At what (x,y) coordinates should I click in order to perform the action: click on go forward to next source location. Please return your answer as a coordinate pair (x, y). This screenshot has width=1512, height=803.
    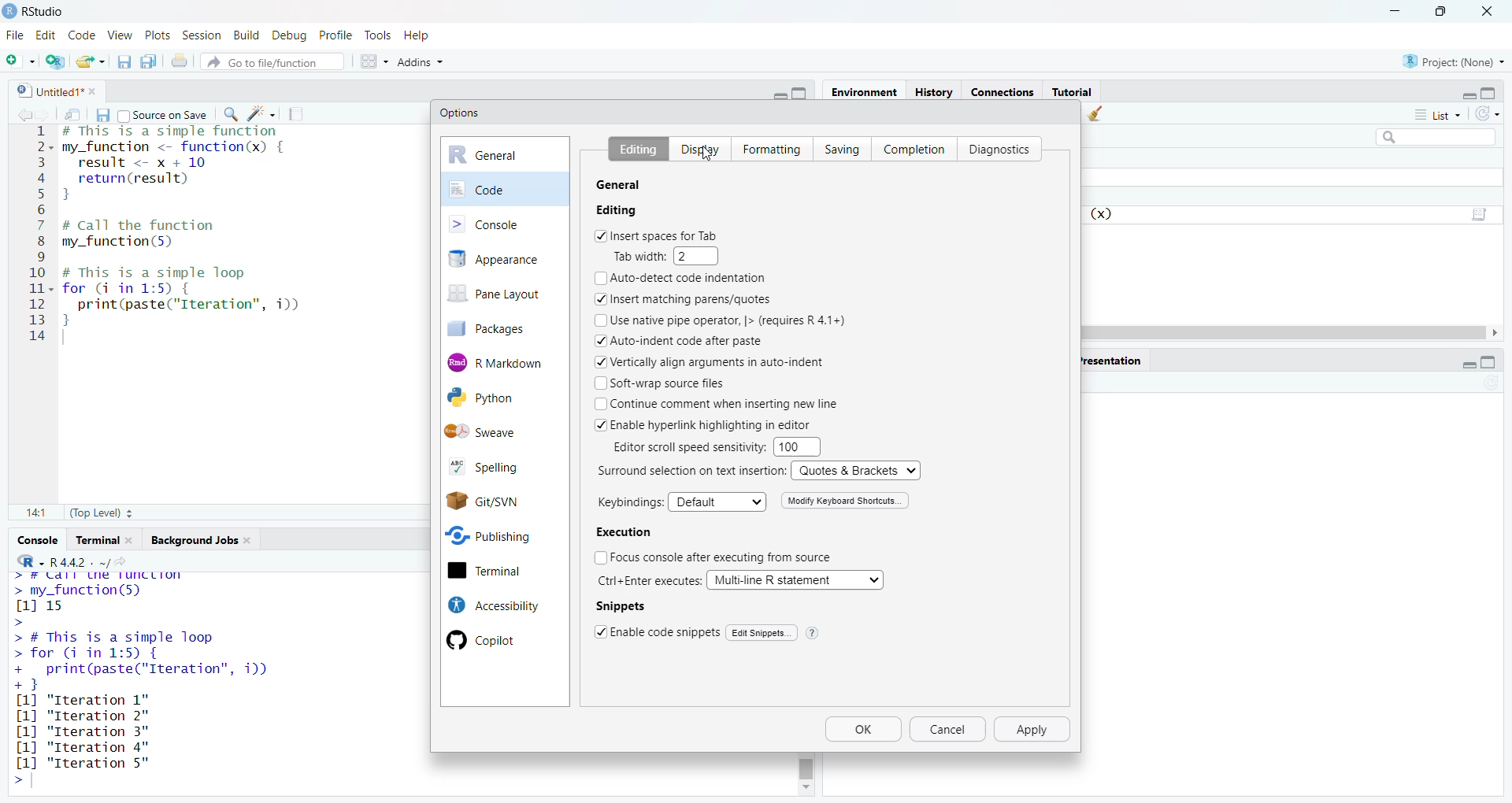
    Looking at the image, I should click on (46, 113).